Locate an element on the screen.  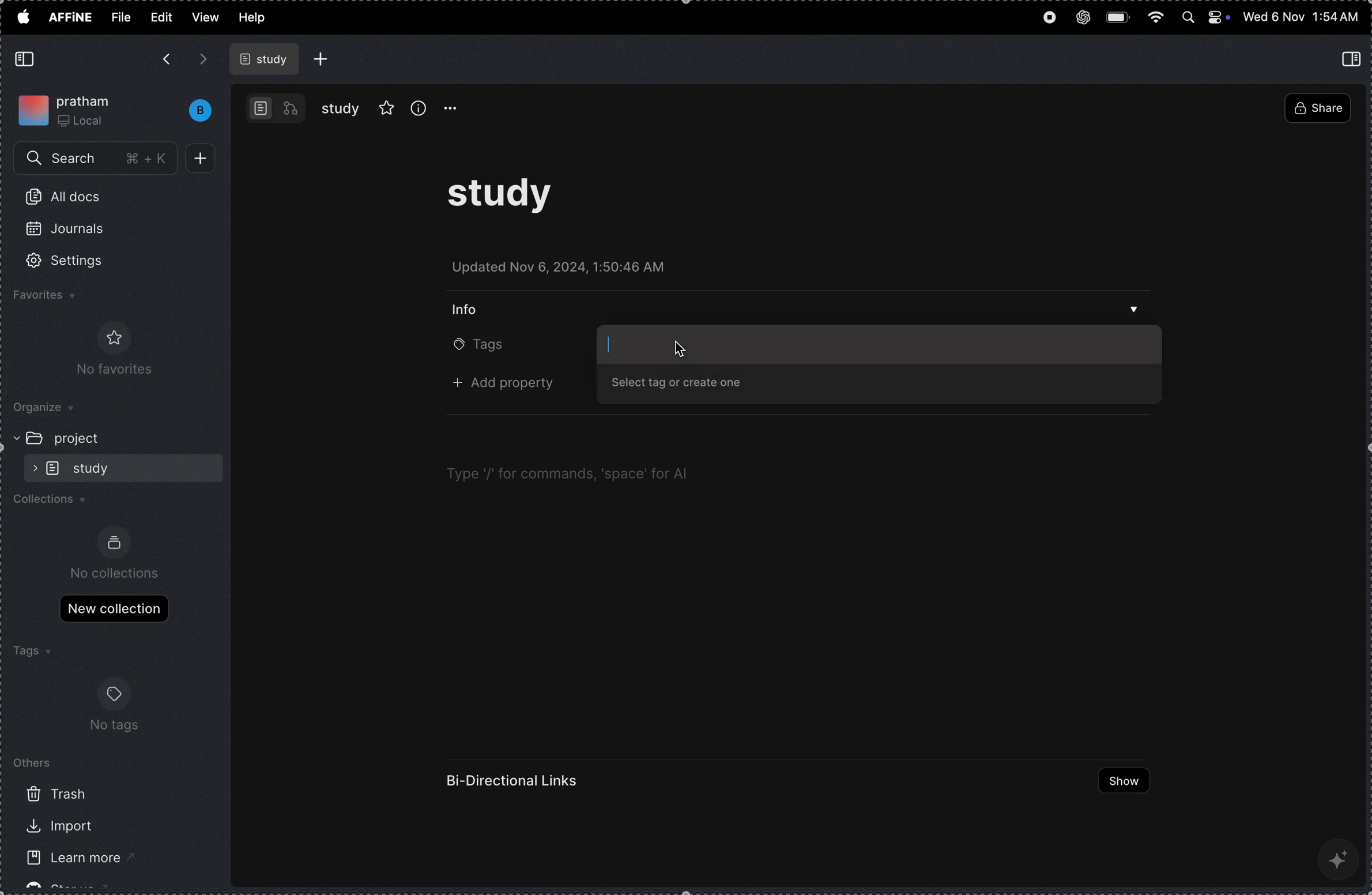
expand/collapse is located at coordinates (12, 437).